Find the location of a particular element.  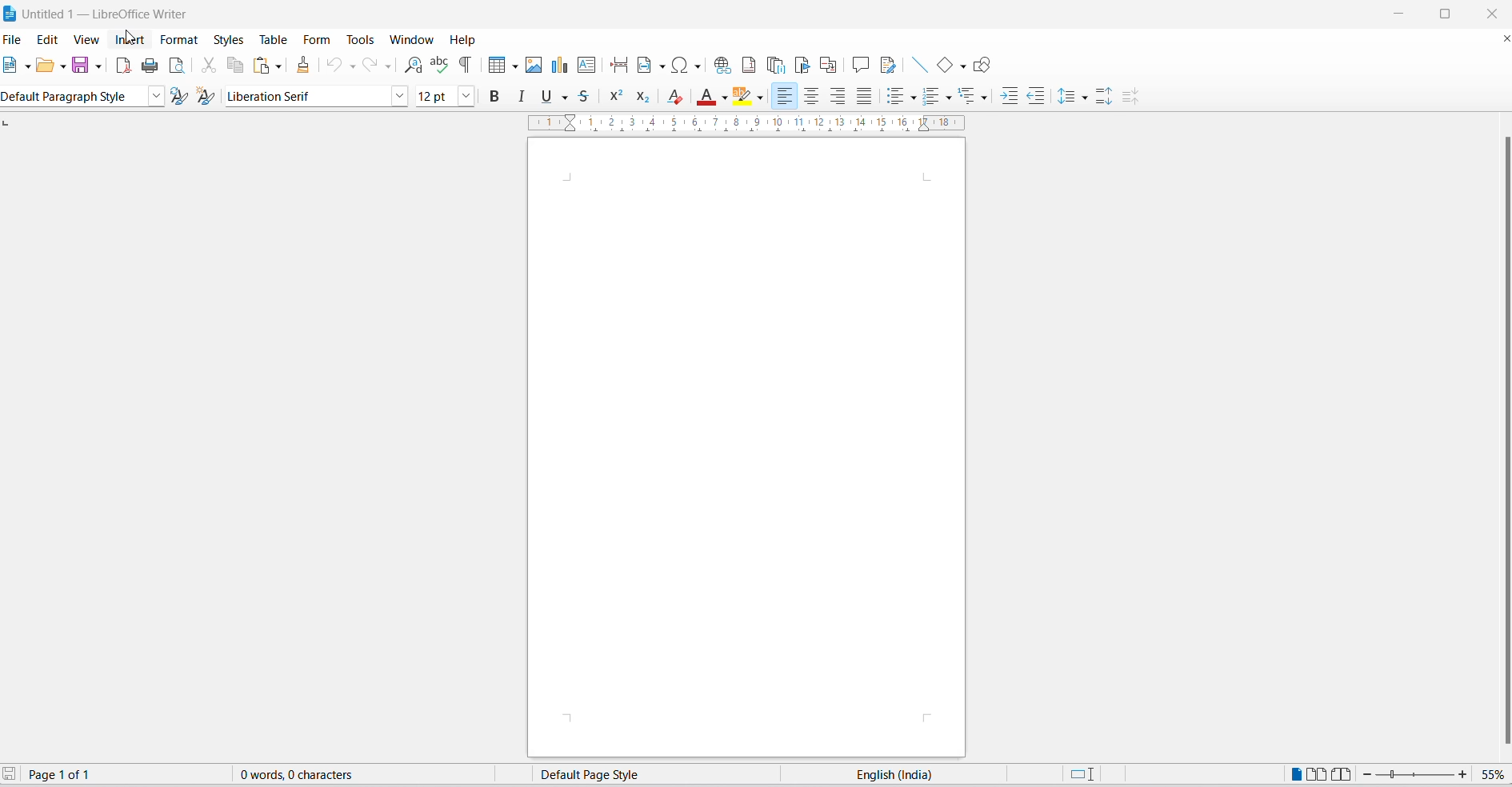

insert comments is located at coordinates (862, 64).